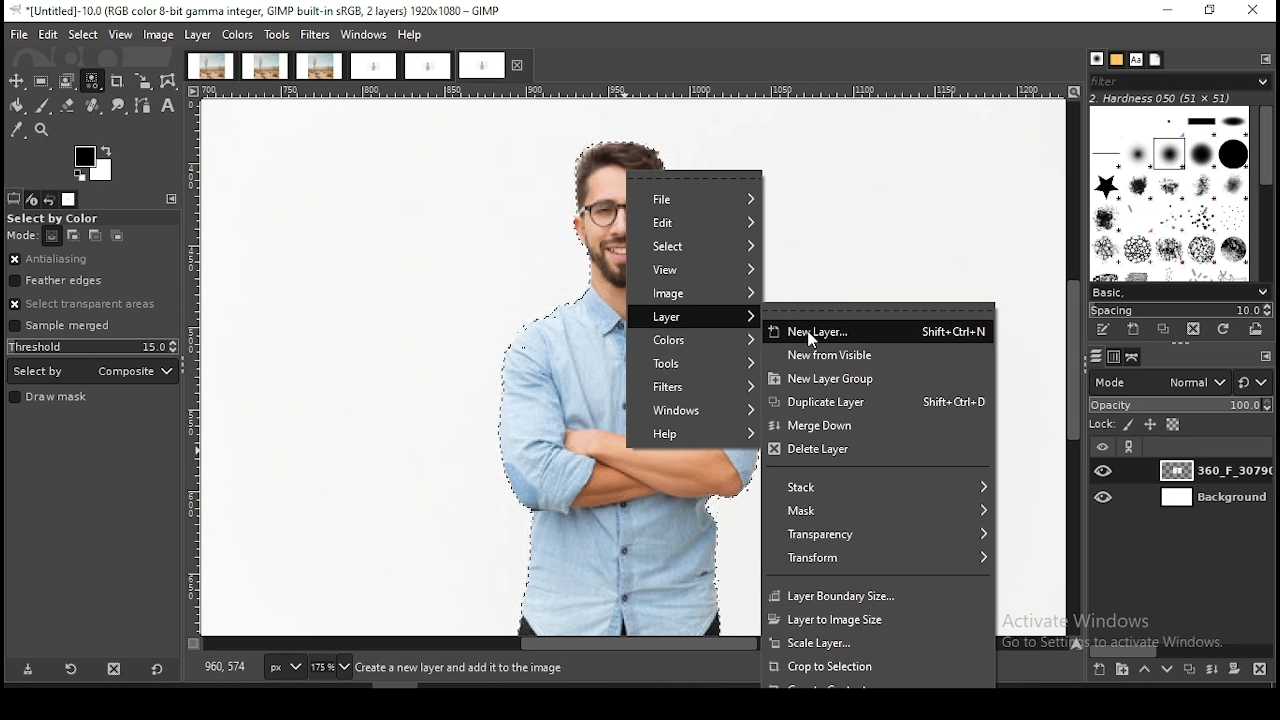 The image size is (1280, 720). Describe the element at coordinates (16, 81) in the screenshot. I see `move tool` at that location.